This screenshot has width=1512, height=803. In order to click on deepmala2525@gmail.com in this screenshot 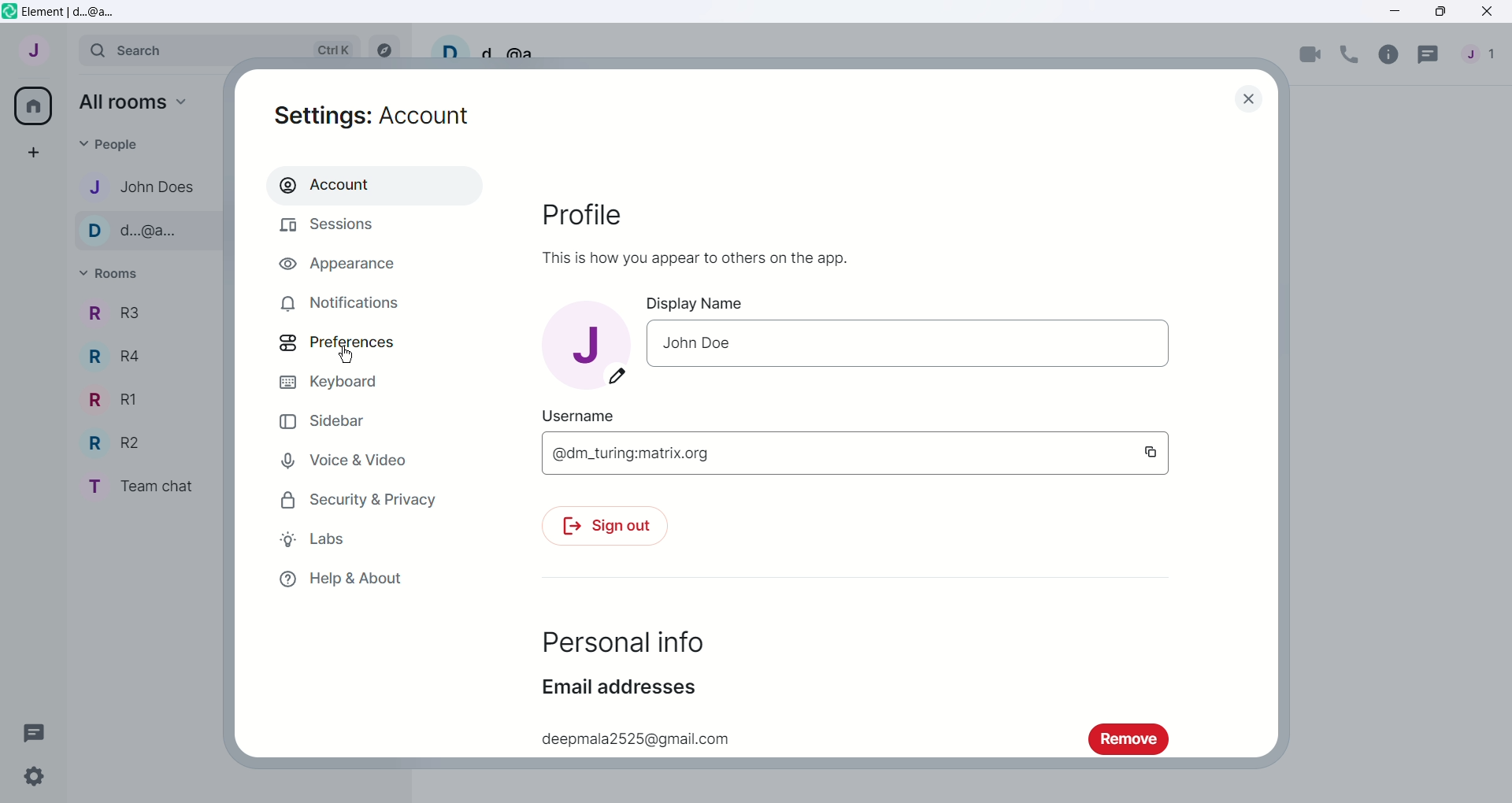, I will do `click(636, 739)`.